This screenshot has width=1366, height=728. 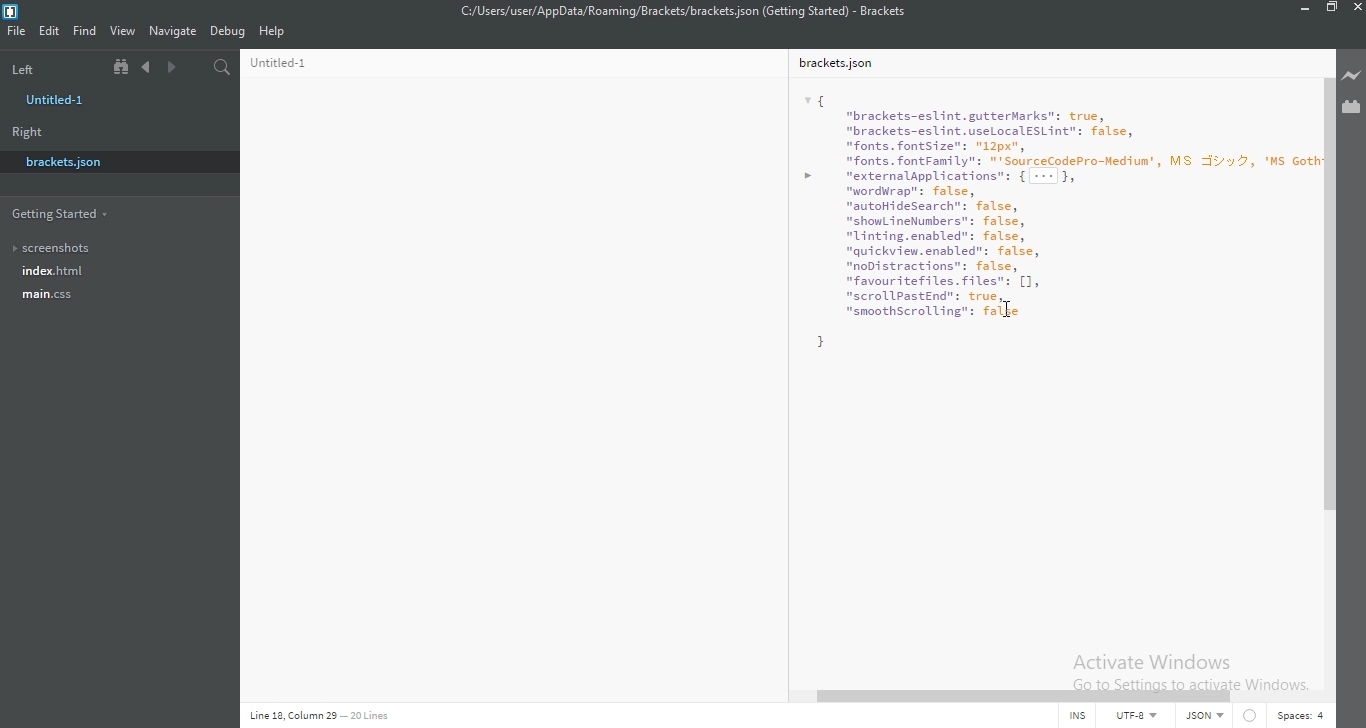 What do you see at coordinates (1210, 718) in the screenshot?
I see `JSON` at bounding box center [1210, 718].